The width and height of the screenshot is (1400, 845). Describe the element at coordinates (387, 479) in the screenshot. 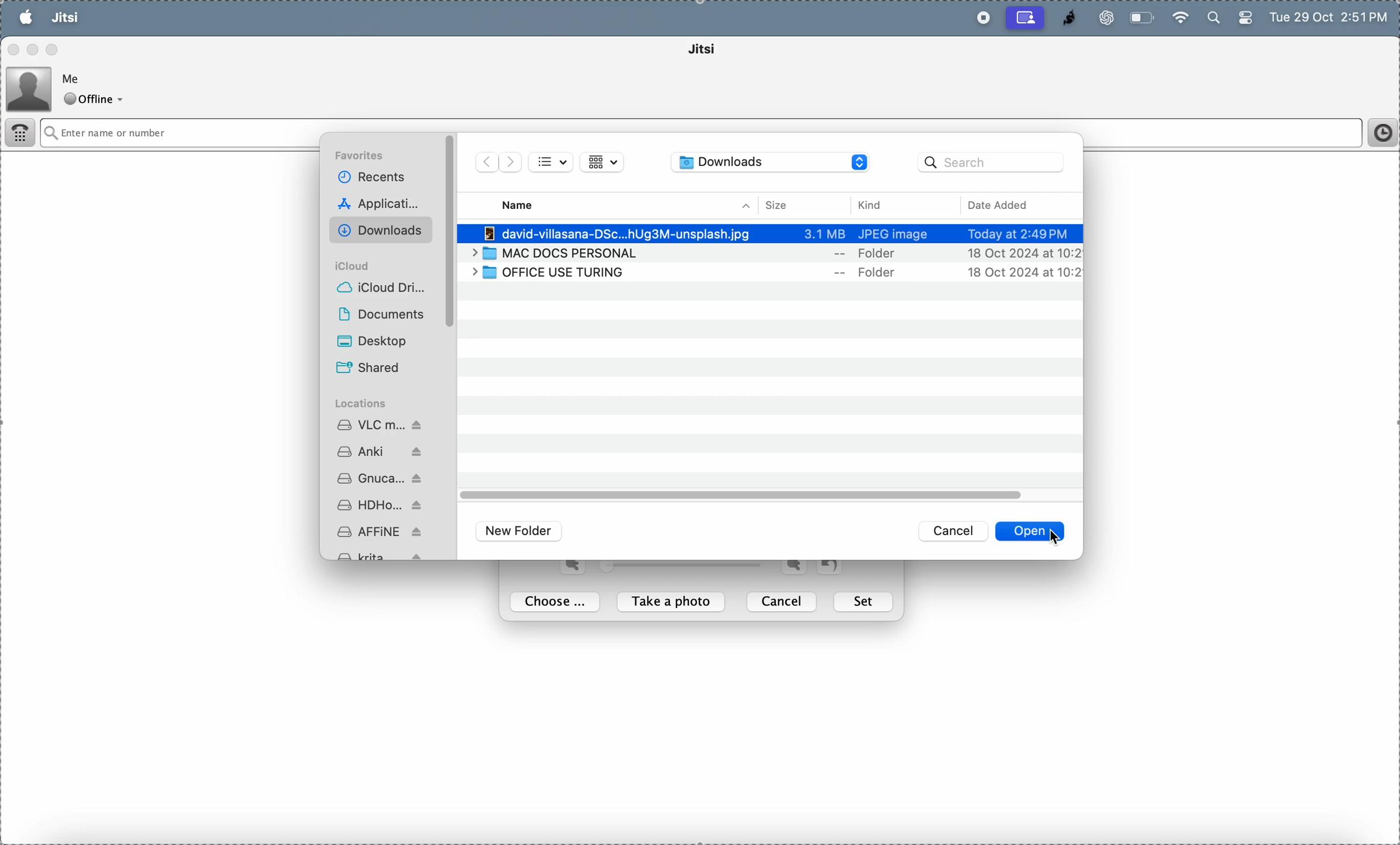

I see `gnu cash` at that location.